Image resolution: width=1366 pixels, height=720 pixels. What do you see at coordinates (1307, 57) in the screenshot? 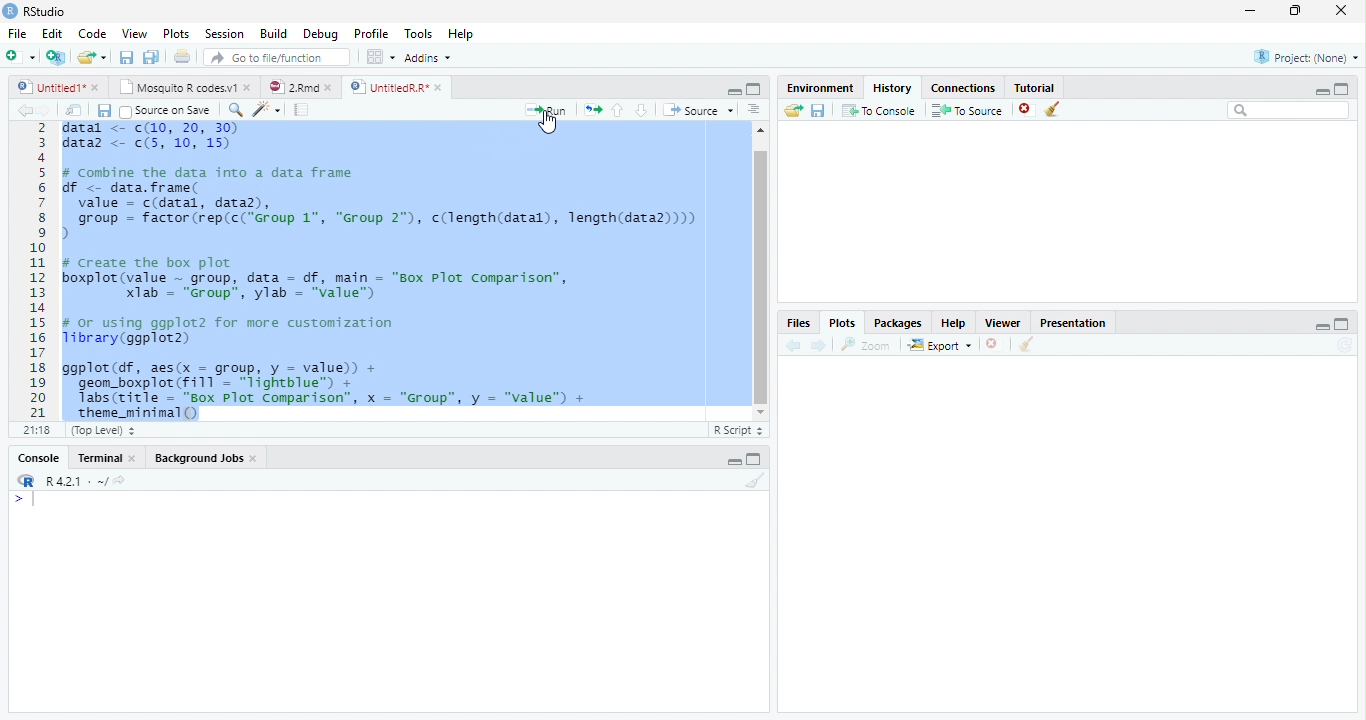
I see `Project: (None)` at bounding box center [1307, 57].